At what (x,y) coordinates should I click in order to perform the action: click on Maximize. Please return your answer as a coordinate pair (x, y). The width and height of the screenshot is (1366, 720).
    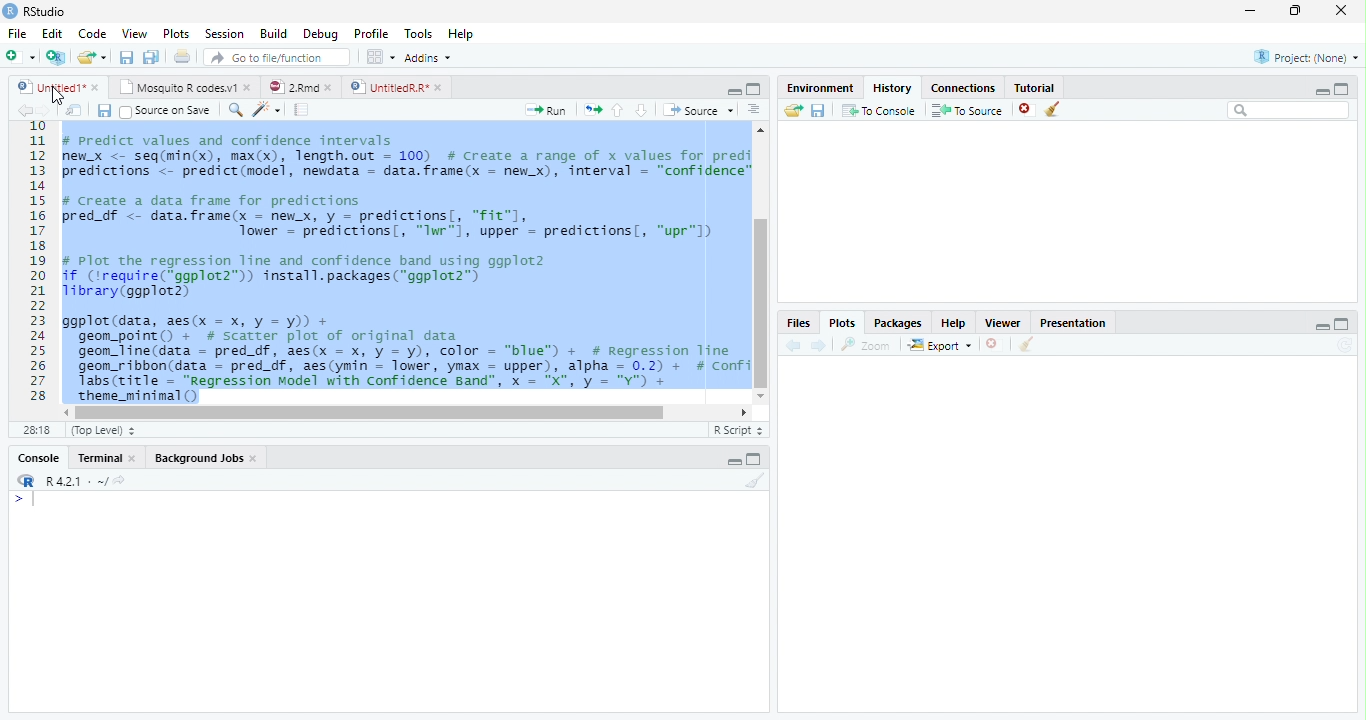
    Looking at the image, I should click on (1344, 88).